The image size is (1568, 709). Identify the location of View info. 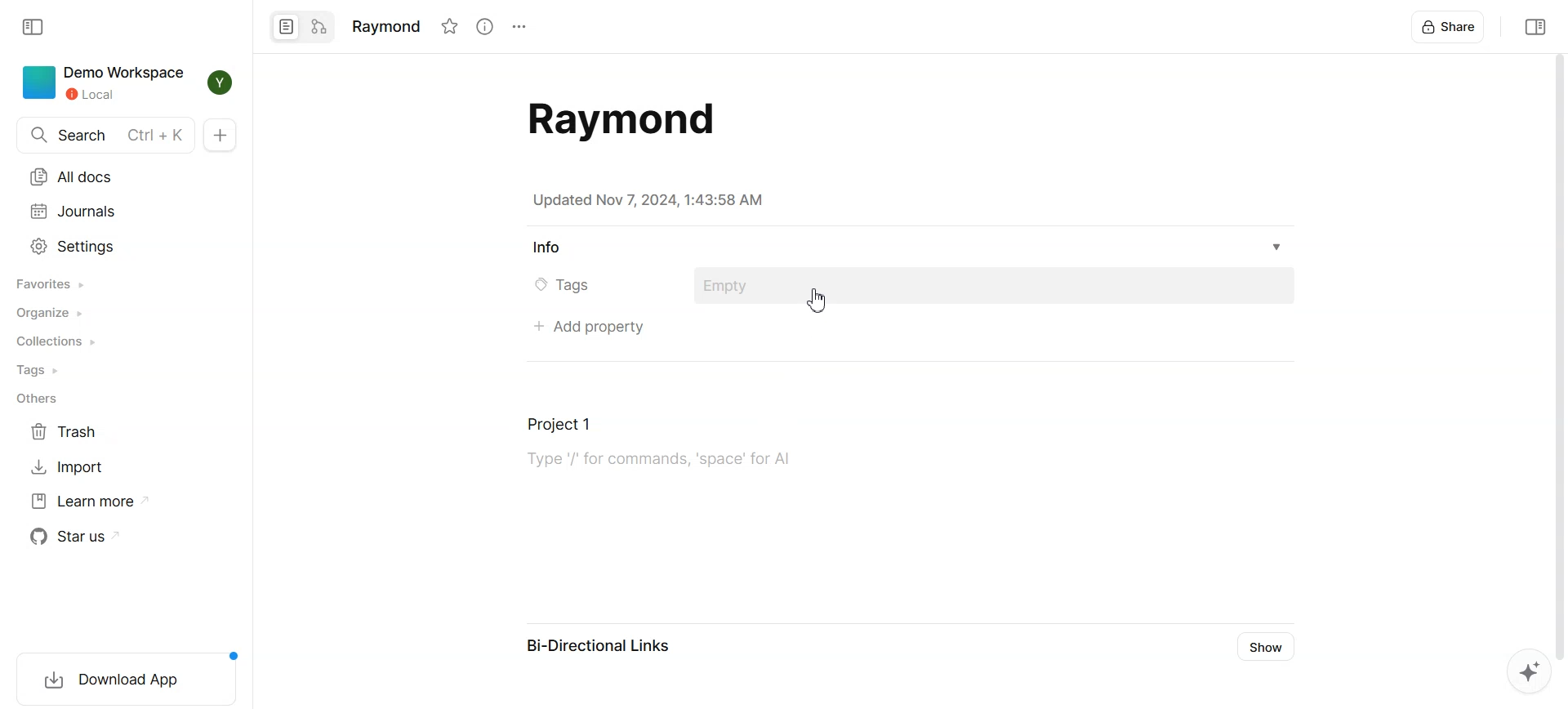
(483, 26).